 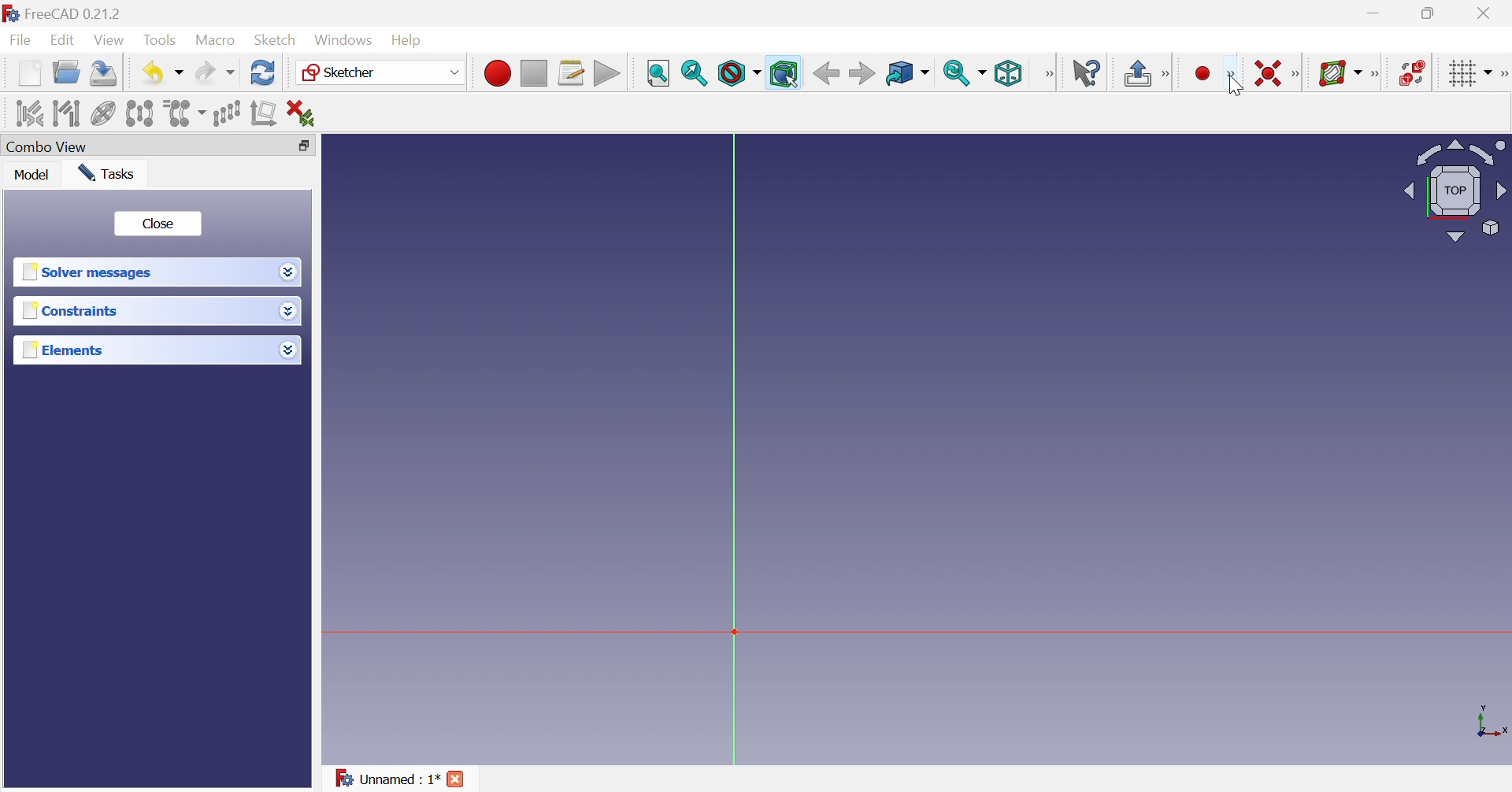 I want to click on Remove axes alignment, so click(x=264, y=115).